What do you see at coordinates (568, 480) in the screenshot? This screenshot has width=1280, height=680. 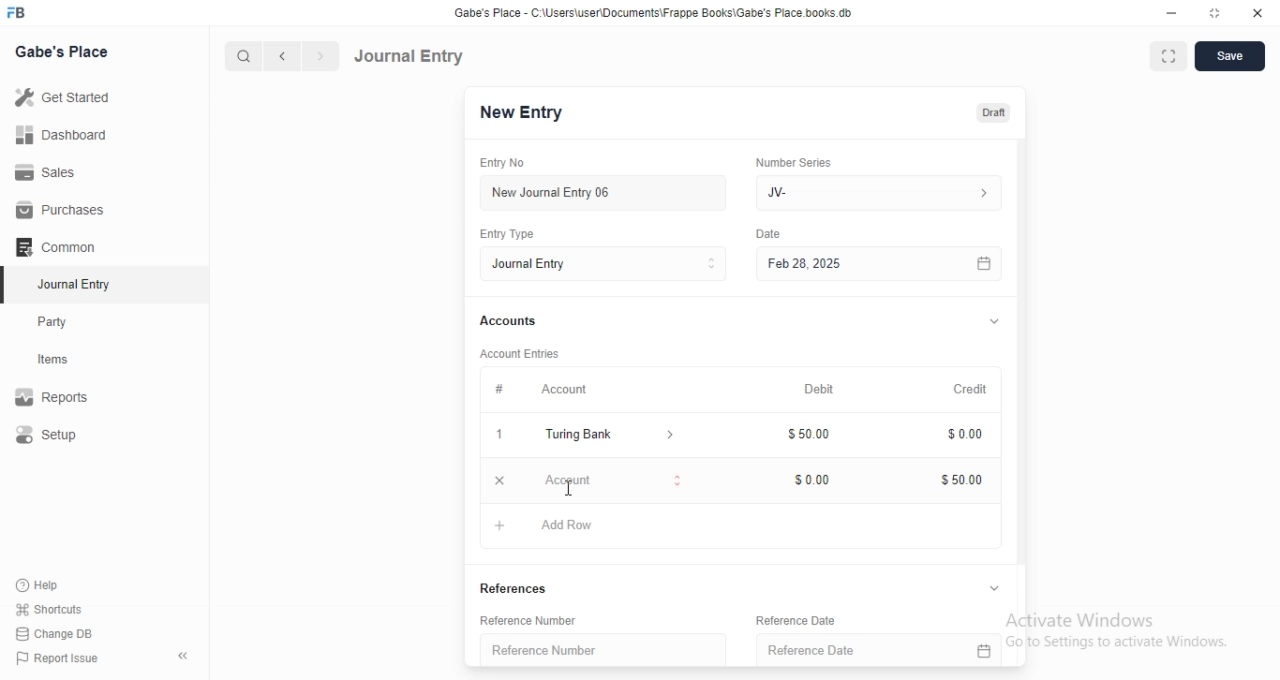 I see `Add Row` at bounding box center [568, 480].